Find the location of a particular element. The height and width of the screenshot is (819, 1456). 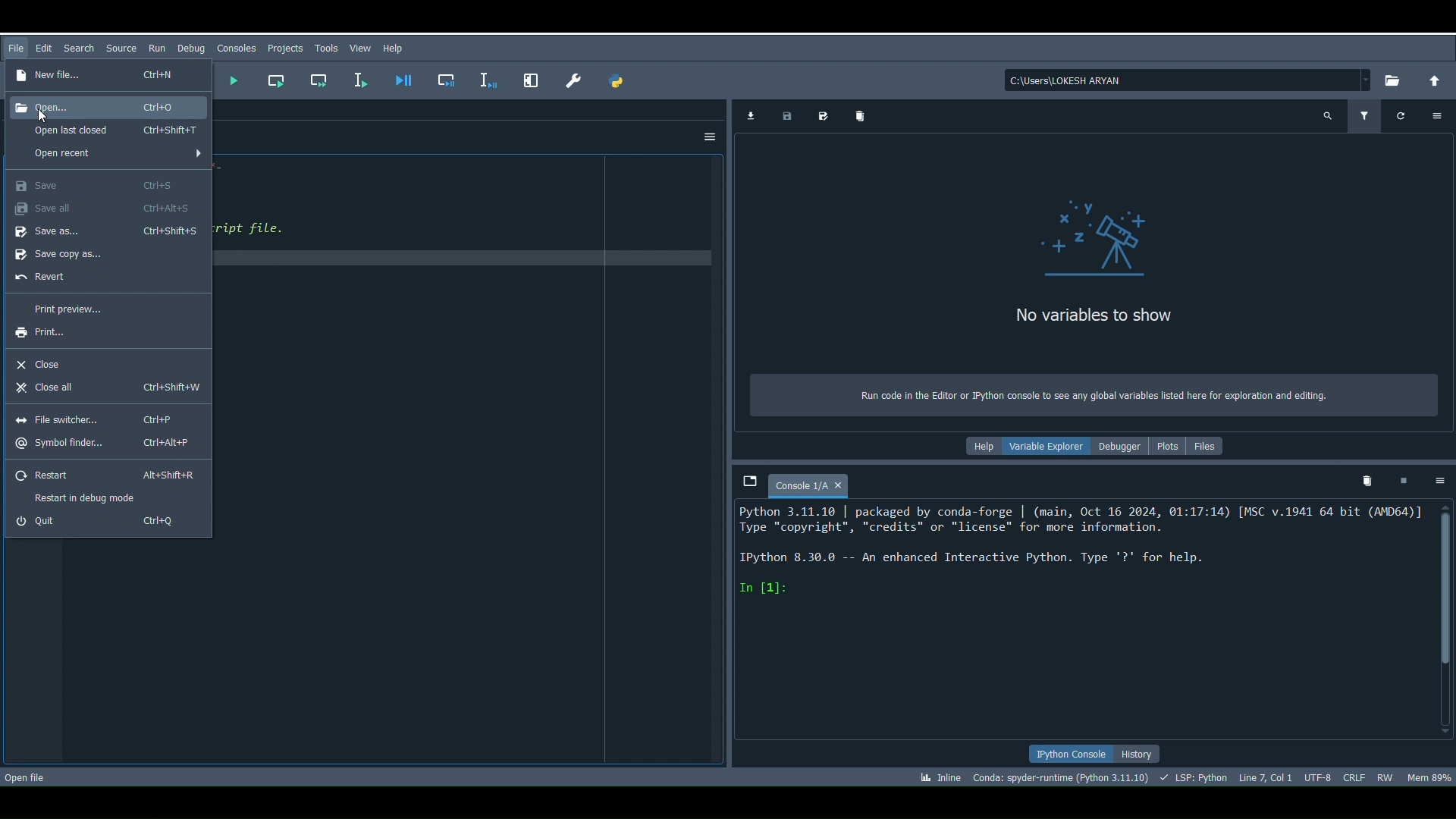

Save all is located at coordinates (100, 209).